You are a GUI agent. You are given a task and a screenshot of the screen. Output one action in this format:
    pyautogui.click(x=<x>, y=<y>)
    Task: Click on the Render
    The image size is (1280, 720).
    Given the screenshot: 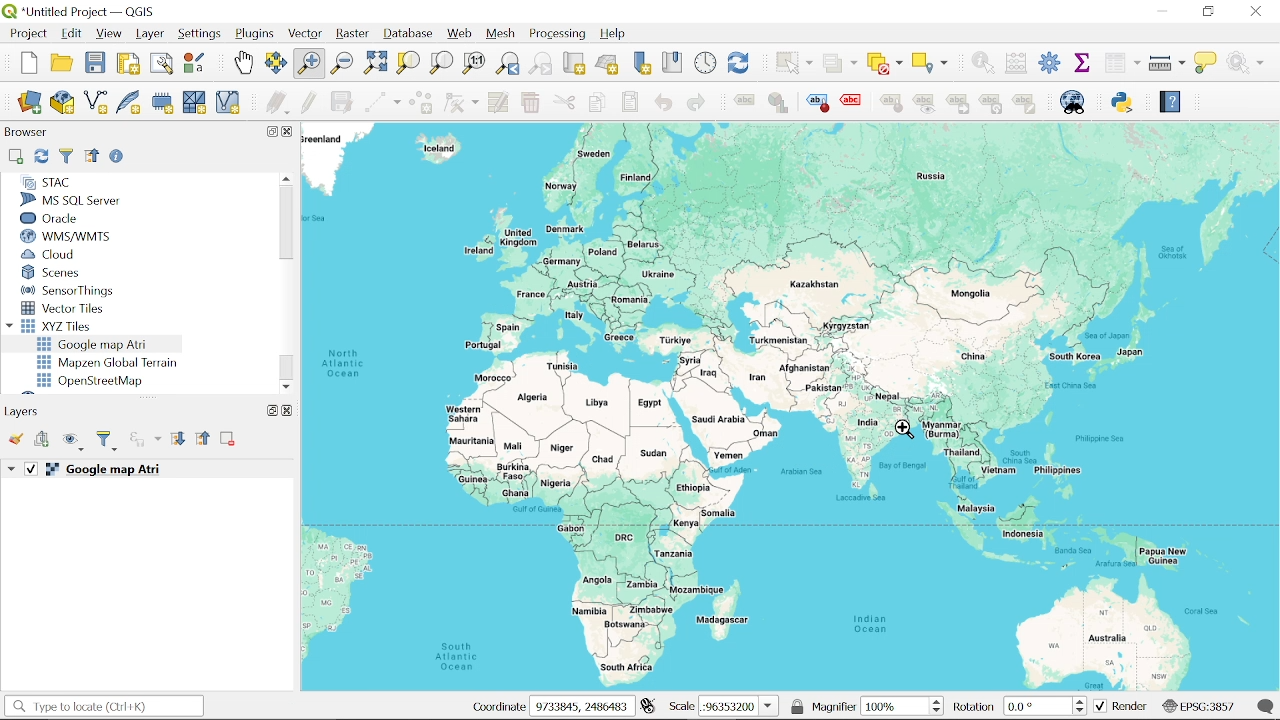 What is the action you would take?
    pyautogui.click(x=1121, y=707)
    